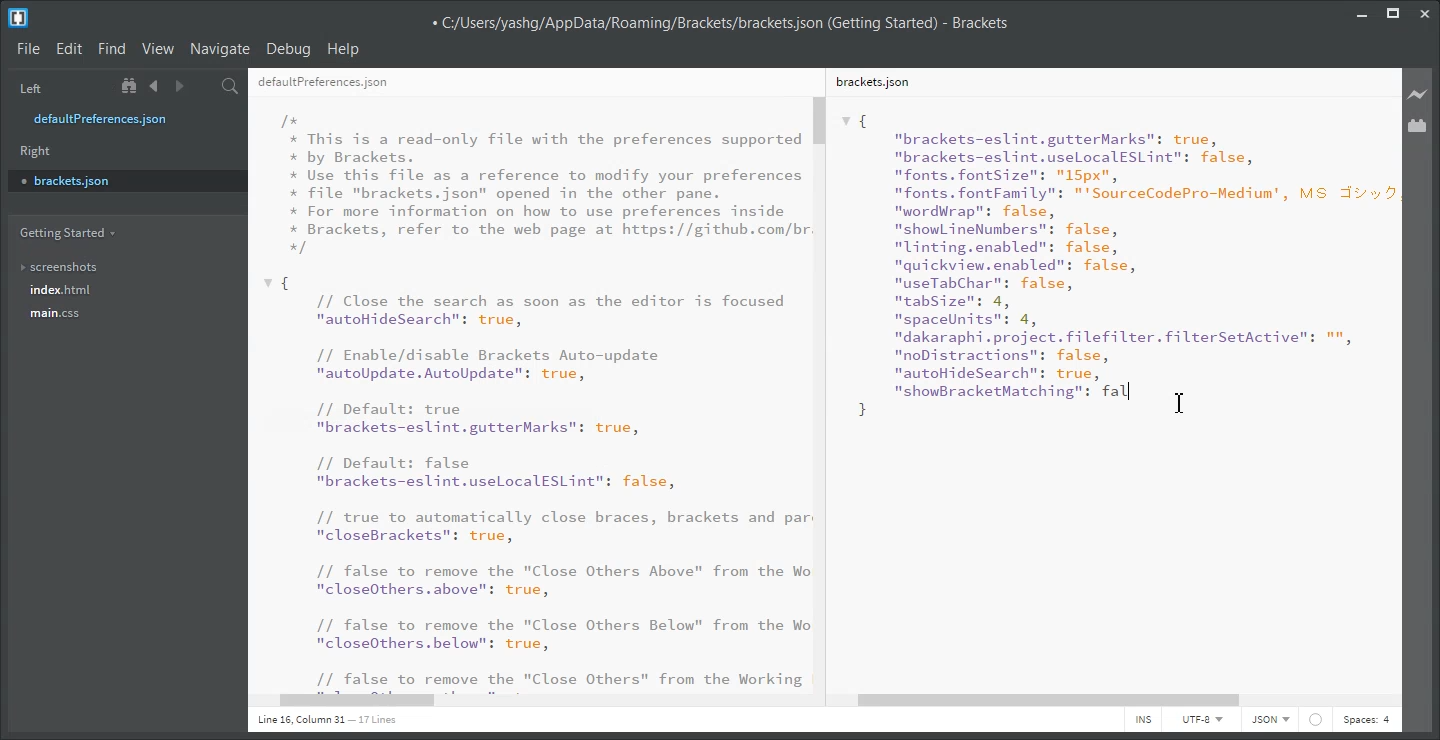 The width and height of the screenshot is (1440, 740). What do you see at coordinates (1362, 11) in the screenshot?
I see `Minimize` at bounding box center [1362, 11].